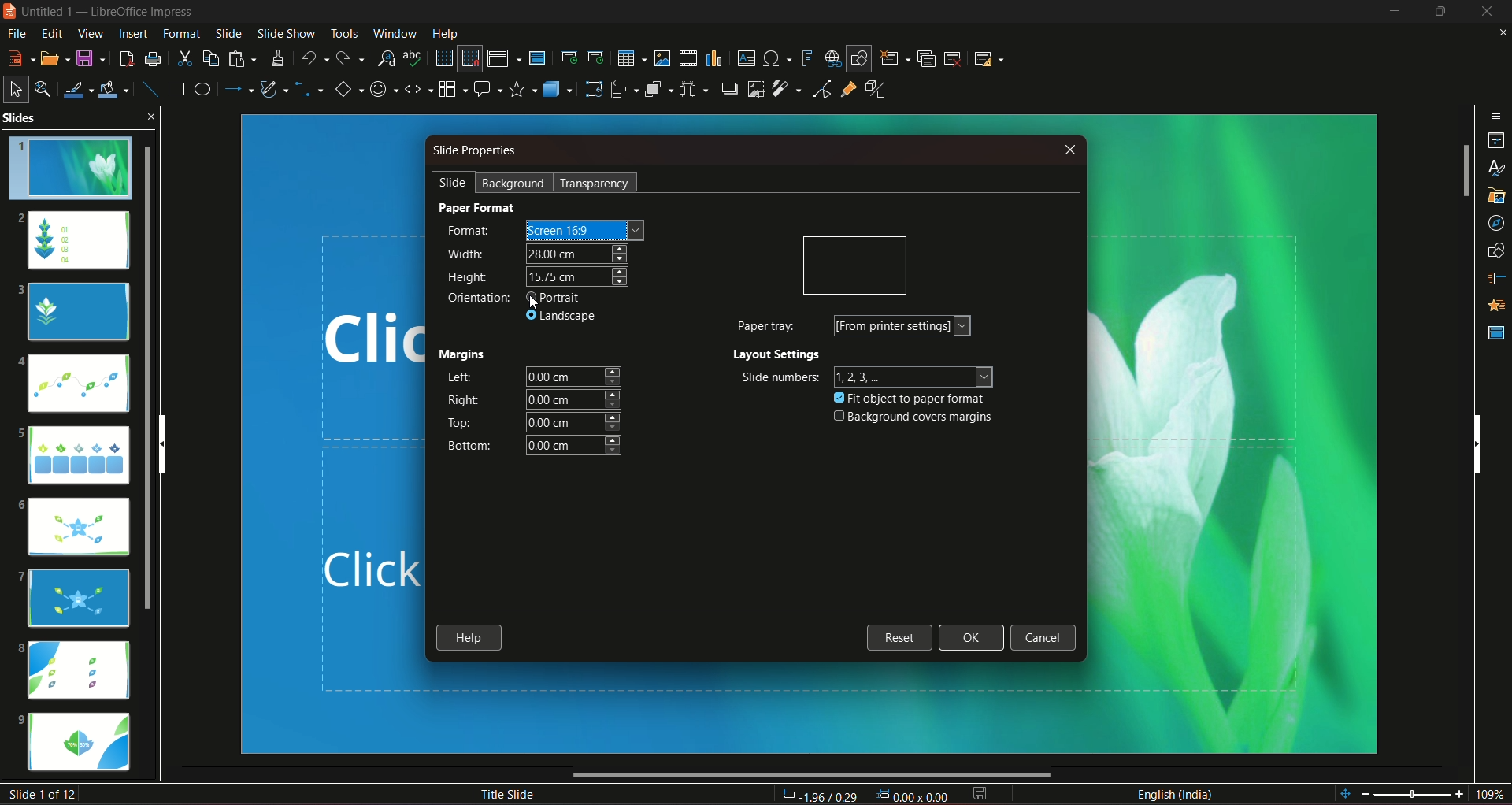  I want to click on close, so click(1487, 12).